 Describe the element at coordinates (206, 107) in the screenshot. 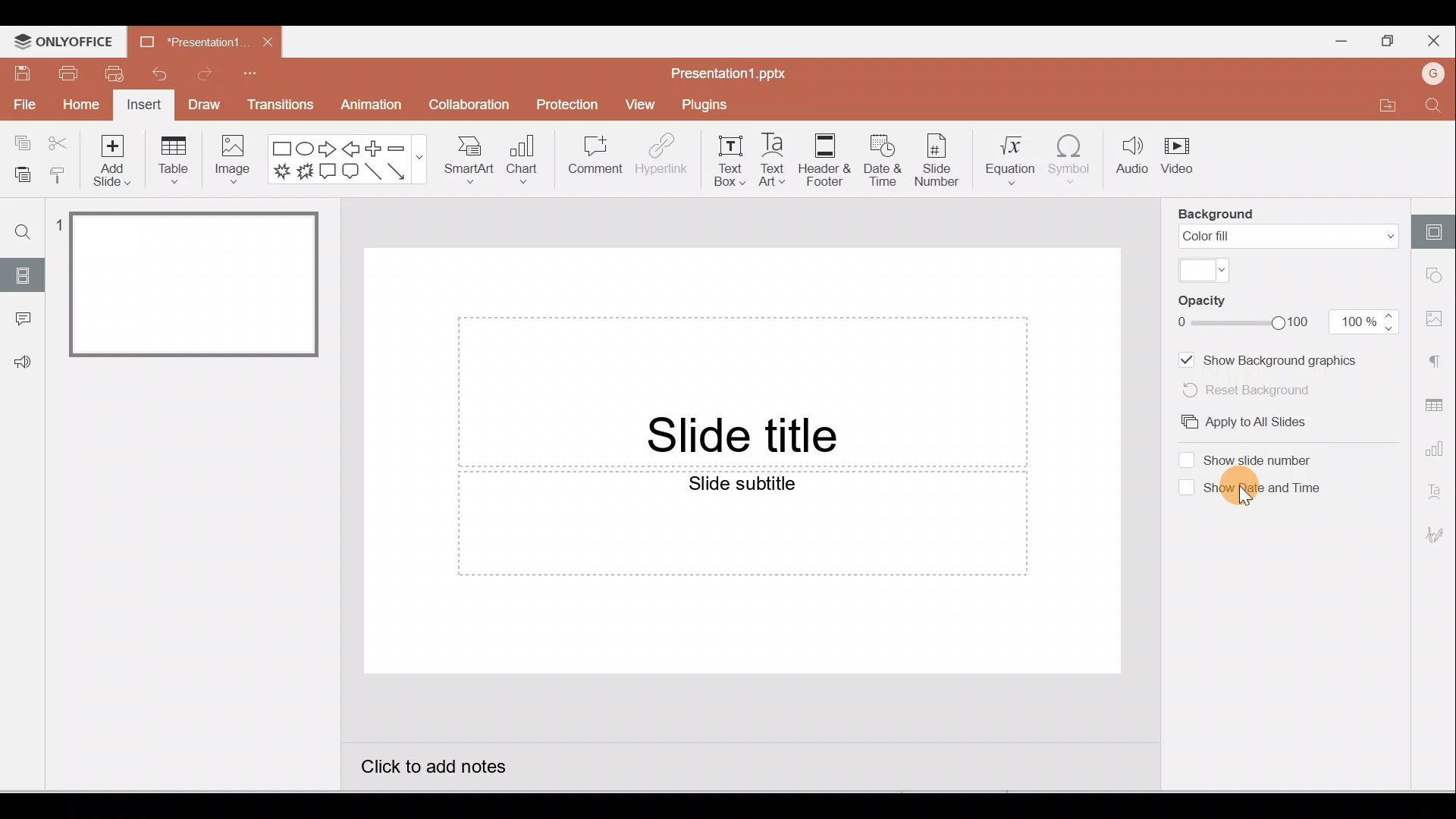

I see `Draw` at that location.